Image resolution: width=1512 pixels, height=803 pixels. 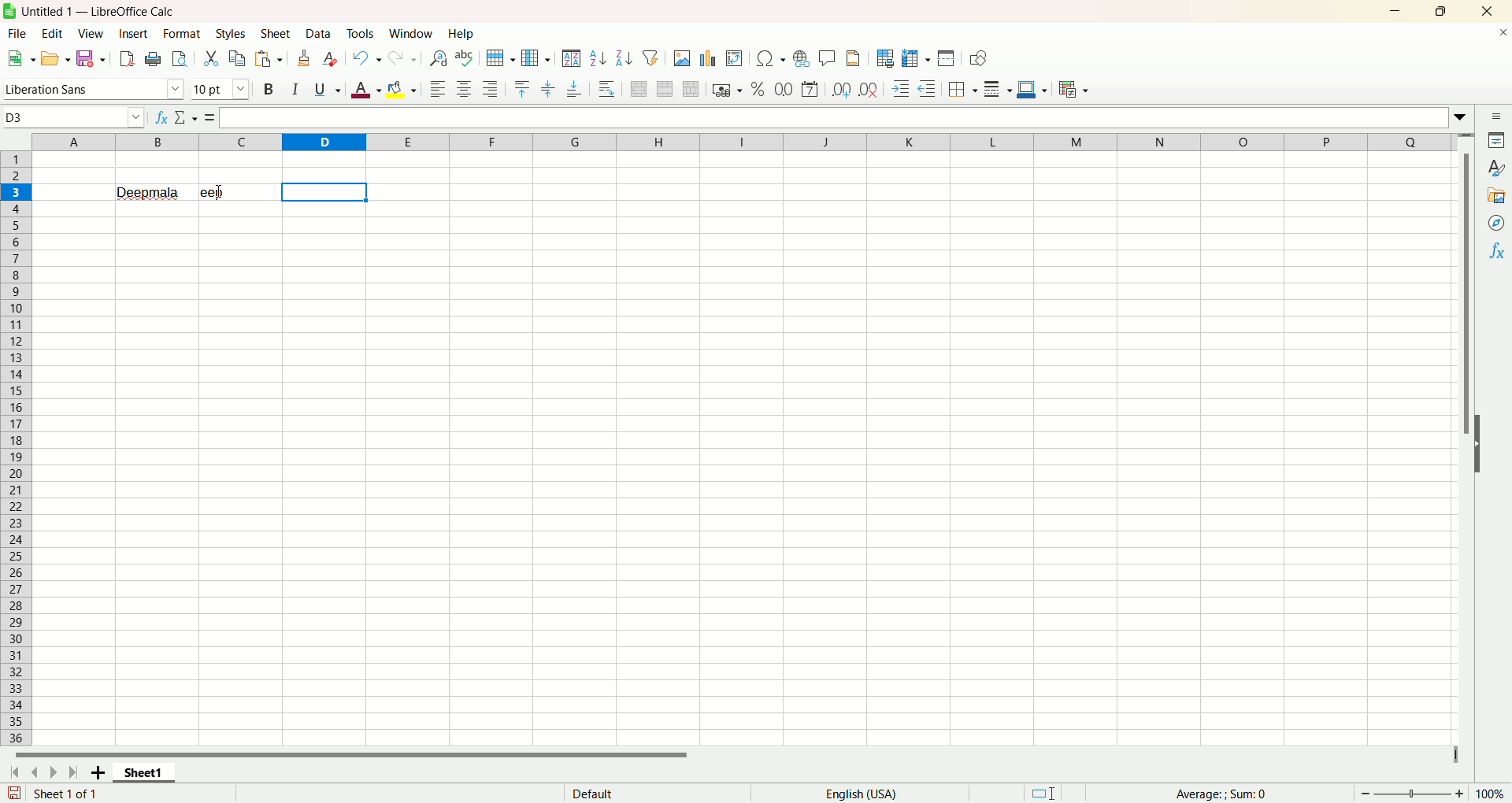 What do you see at coordinates (134, 35) in the screenshot?
I see `Insert` at bounding box center [134, 35].